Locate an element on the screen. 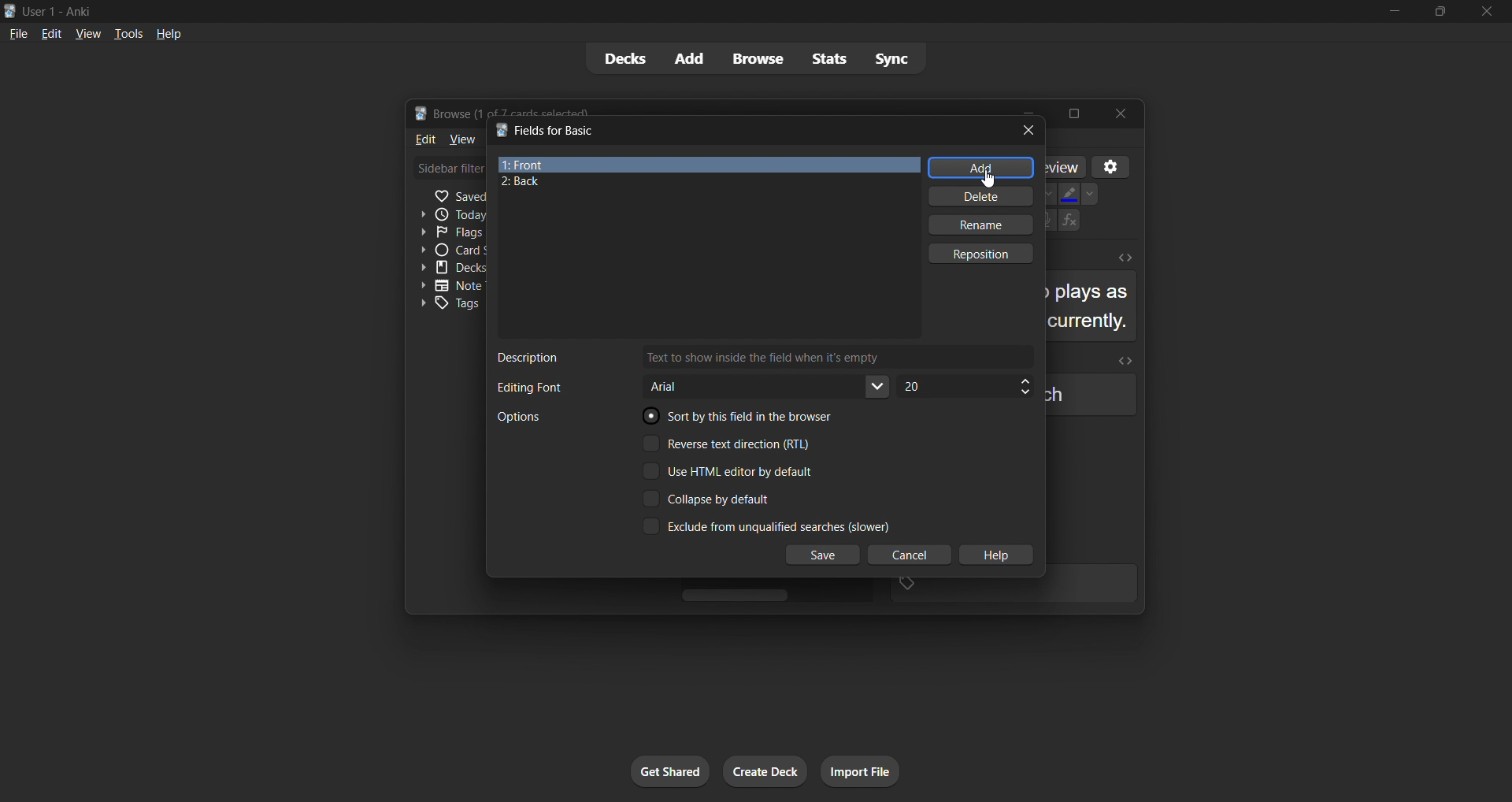 Image resolution: width=1512 pixels, height=802 pixels. front field is located at coordinates (707, 165).